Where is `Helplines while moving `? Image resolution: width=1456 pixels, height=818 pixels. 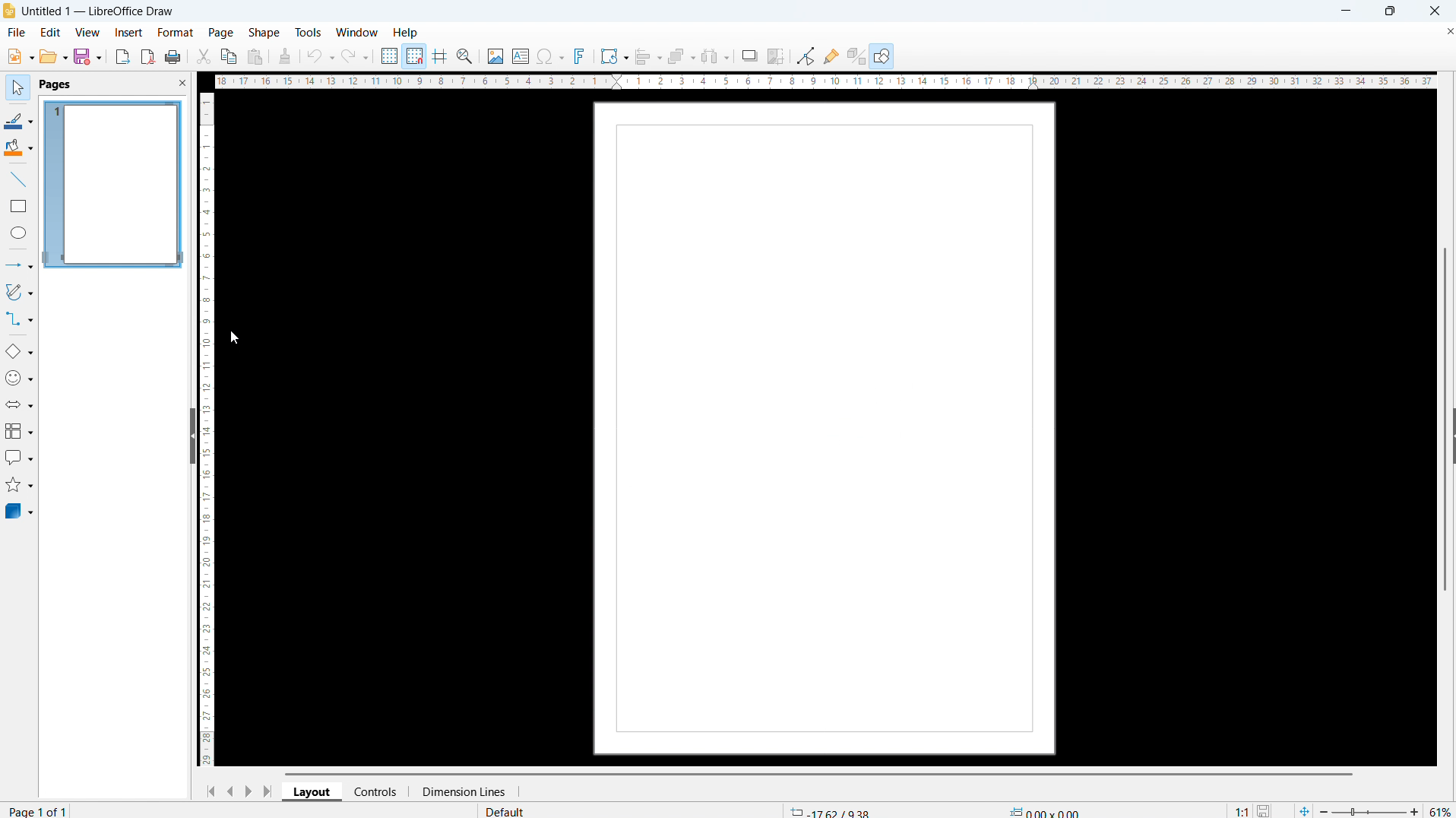
Helplines while moving  is located at coordinates (440, 55).